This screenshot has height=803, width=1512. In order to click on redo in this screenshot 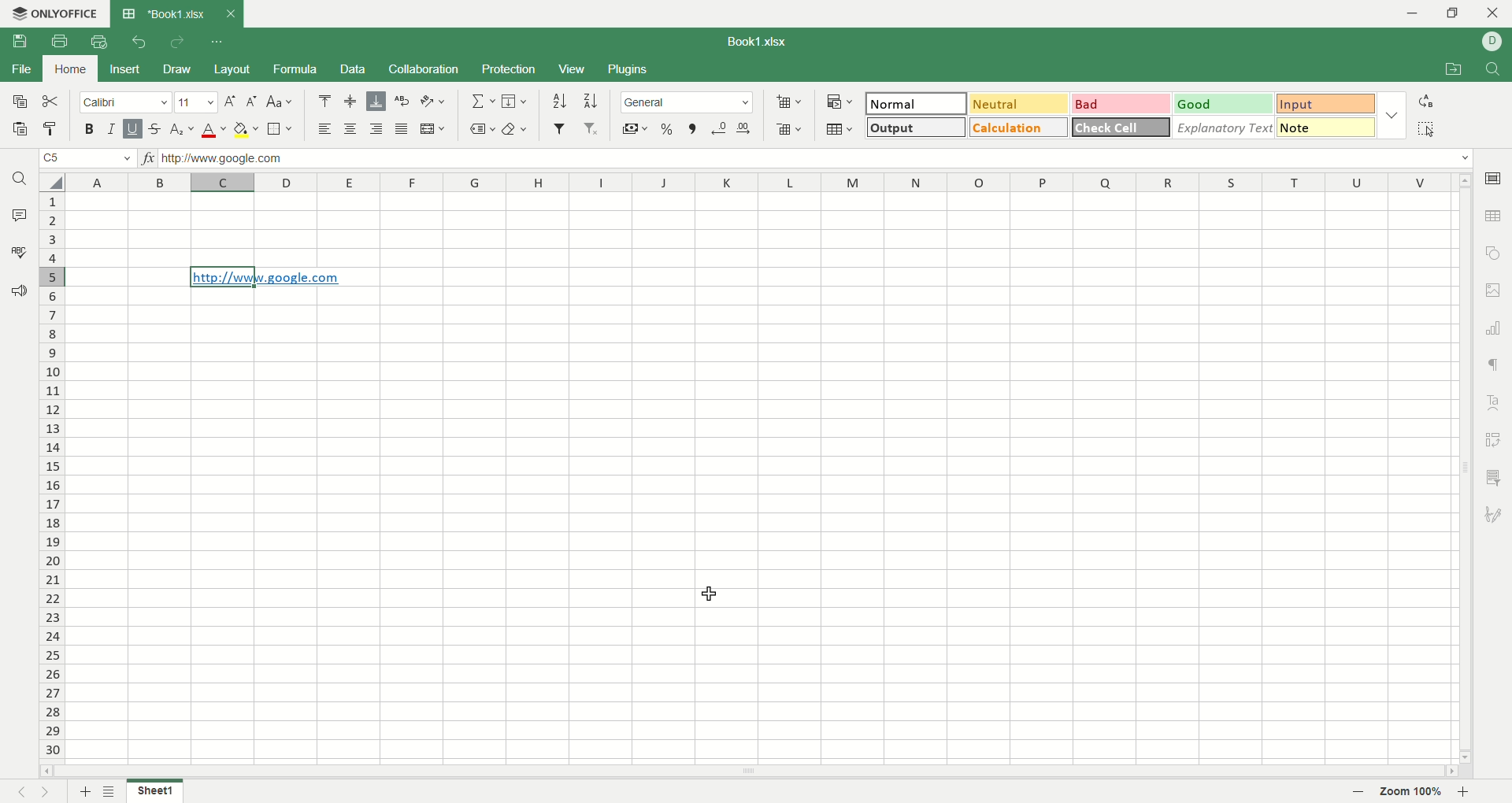, I will do `click(176, 43)`.